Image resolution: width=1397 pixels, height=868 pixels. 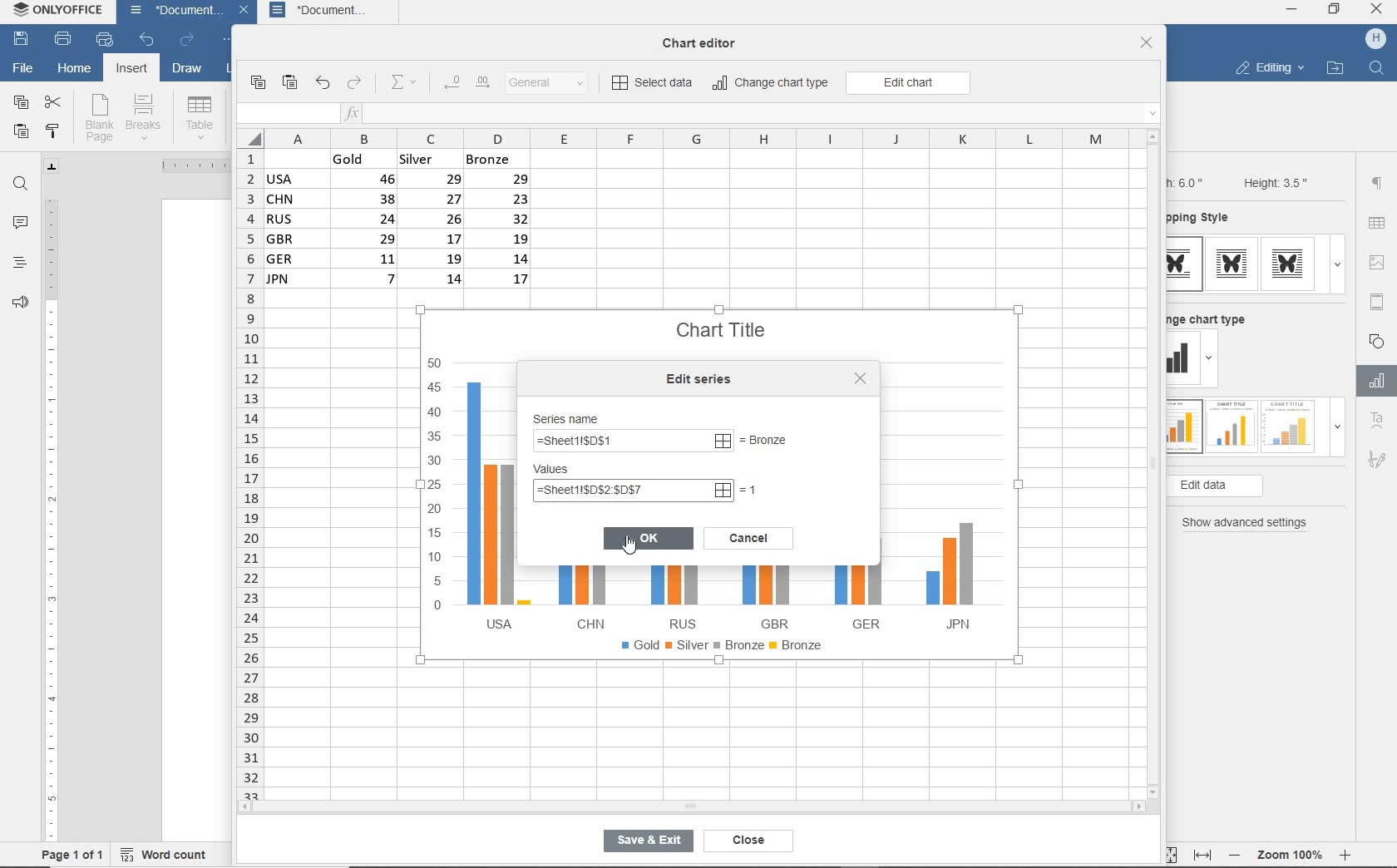 What do you see at coordinates (286, 114) in the screenshot?
I see `input field` at bounding box center [286, 114].